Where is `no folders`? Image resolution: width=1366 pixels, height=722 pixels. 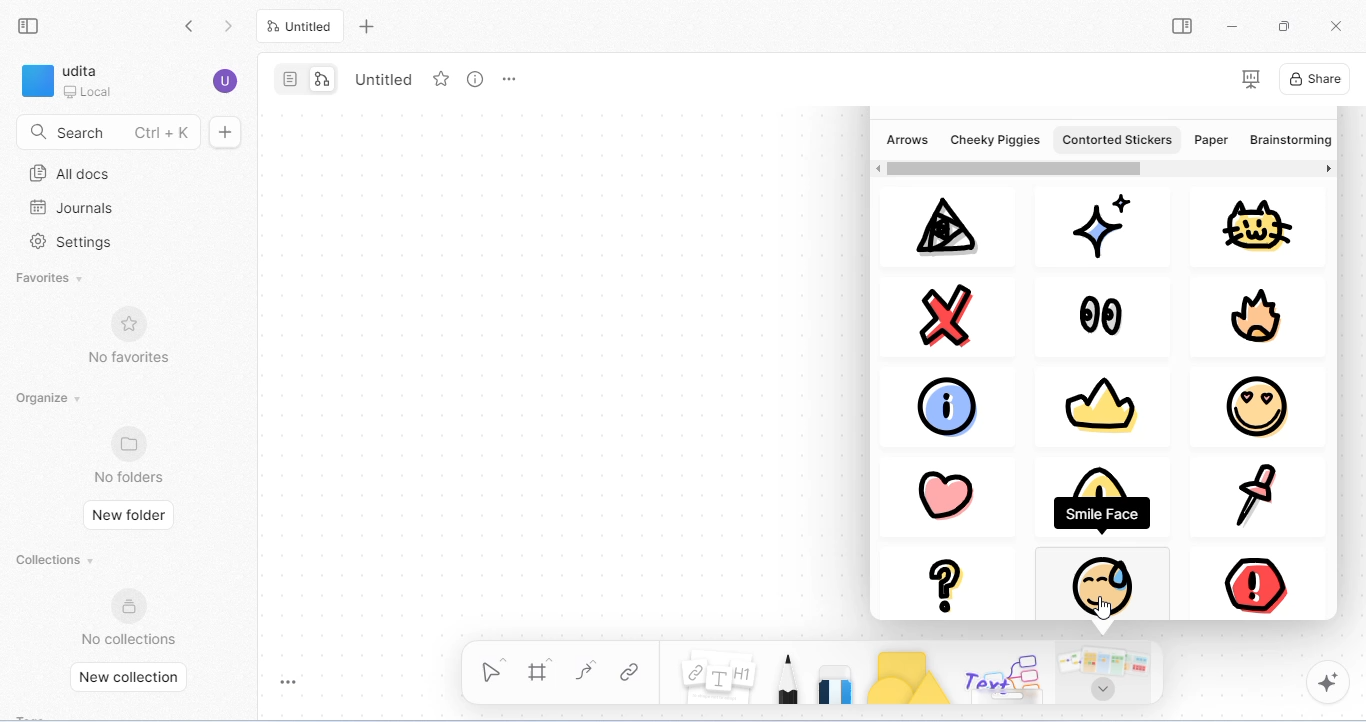 no folders is located at coordinates (131, 455).